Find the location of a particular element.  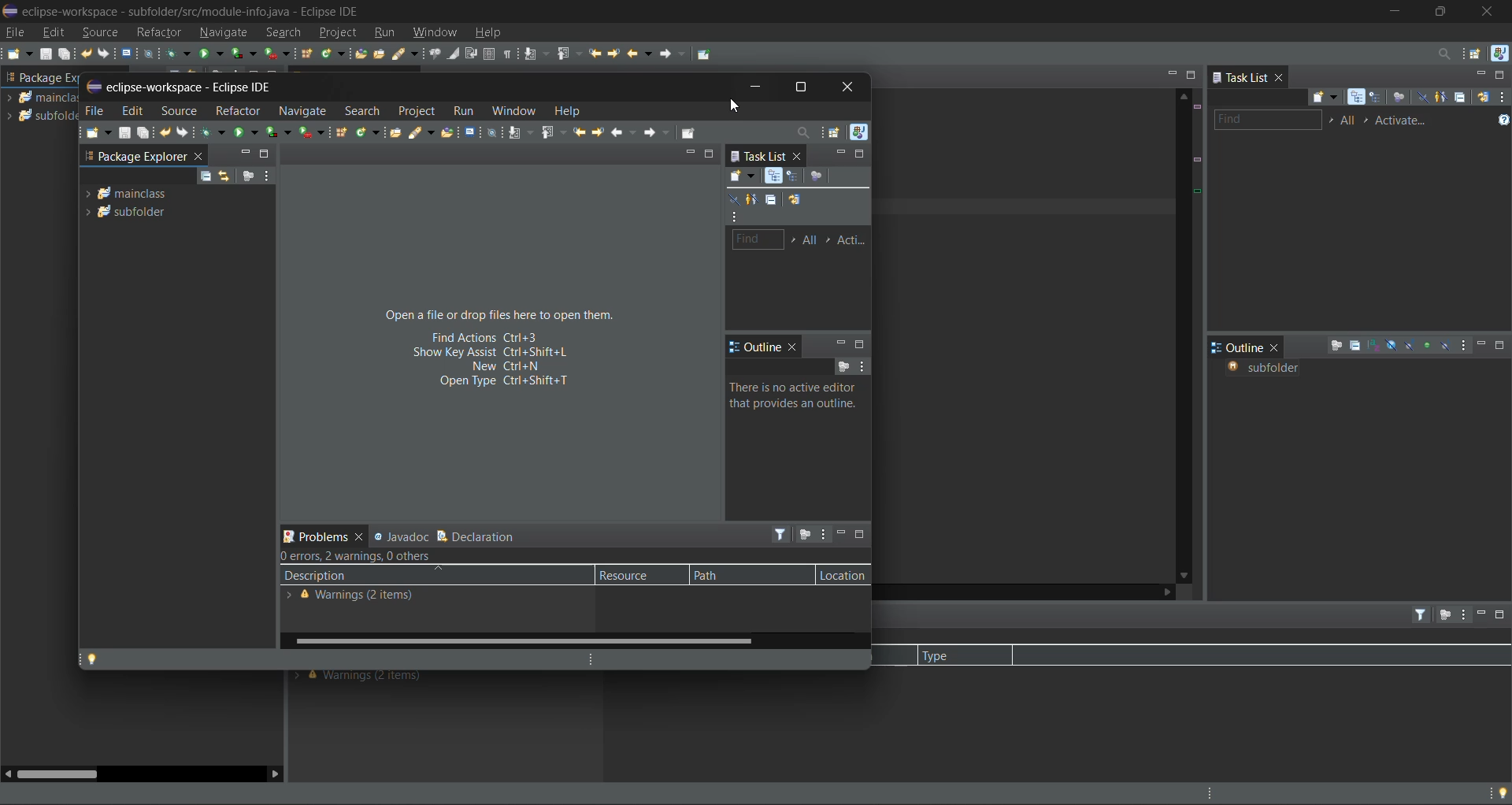

select active task is located at coordinates (828, 238).